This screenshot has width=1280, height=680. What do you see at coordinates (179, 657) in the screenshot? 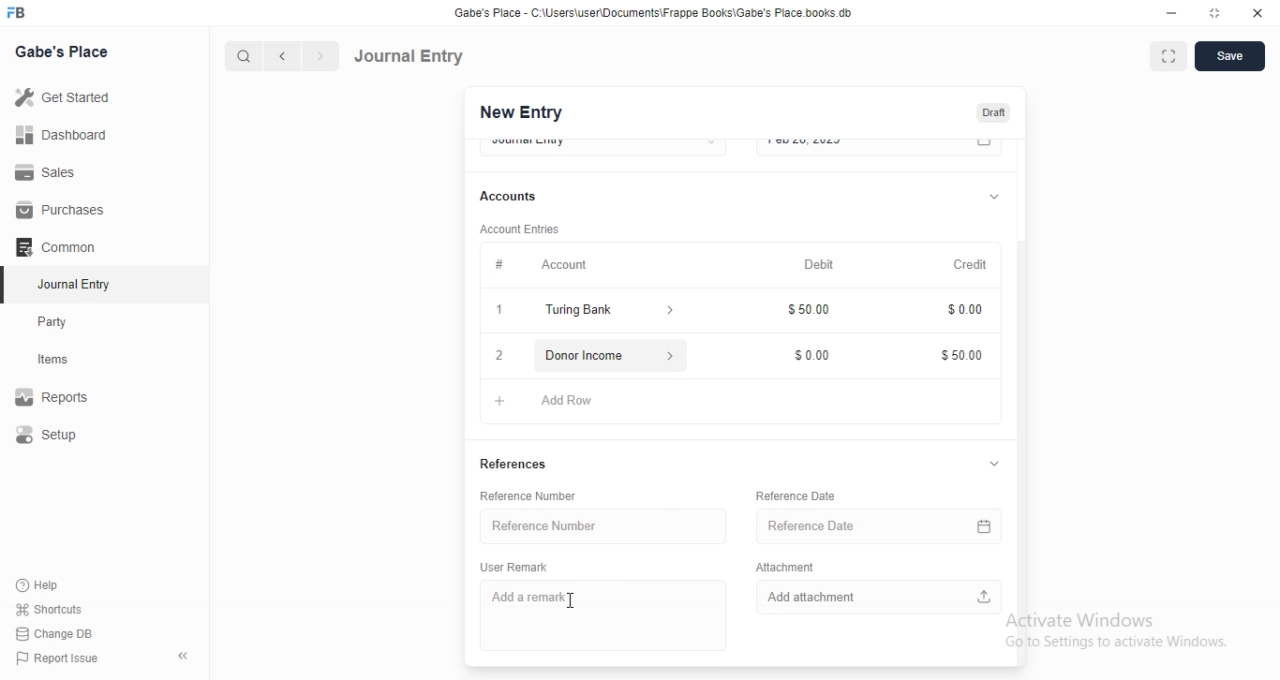
I see `hide` at bounding box center [179, 657].